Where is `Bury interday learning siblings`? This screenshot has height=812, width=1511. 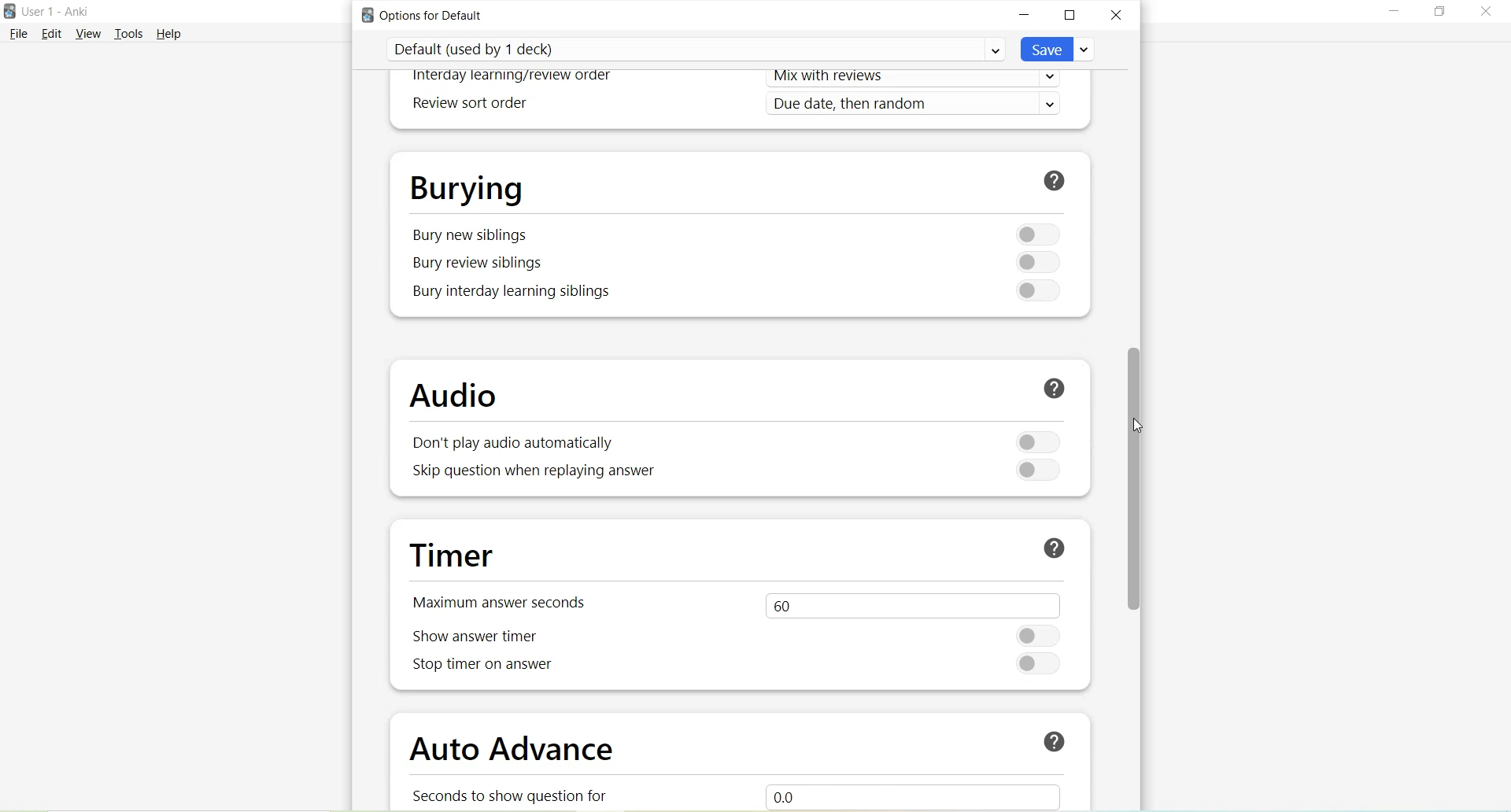
Bury interday learning siblings is located at coordinates (514, 292).